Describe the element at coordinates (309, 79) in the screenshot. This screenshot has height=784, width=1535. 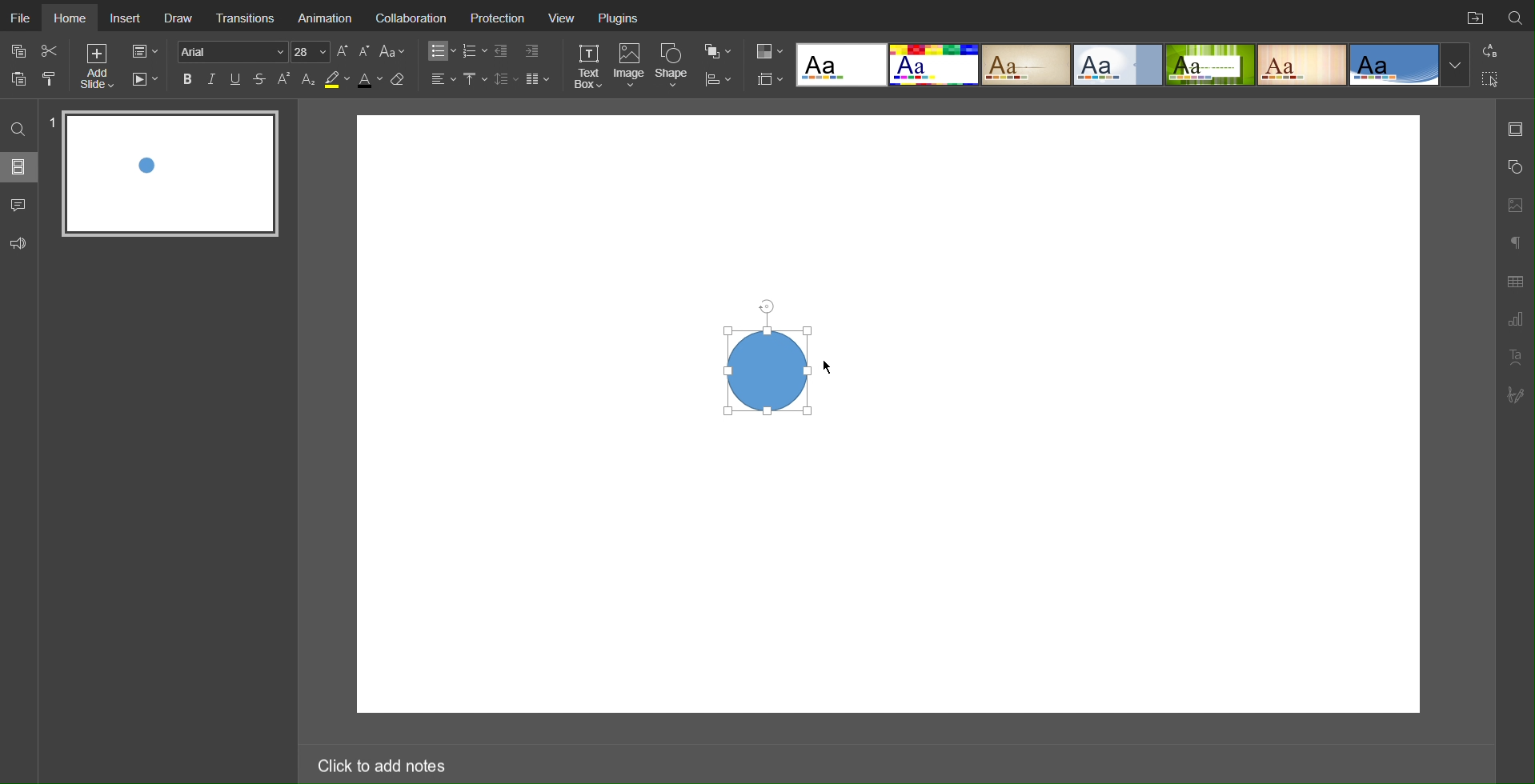
I see `Subscript` at that location.